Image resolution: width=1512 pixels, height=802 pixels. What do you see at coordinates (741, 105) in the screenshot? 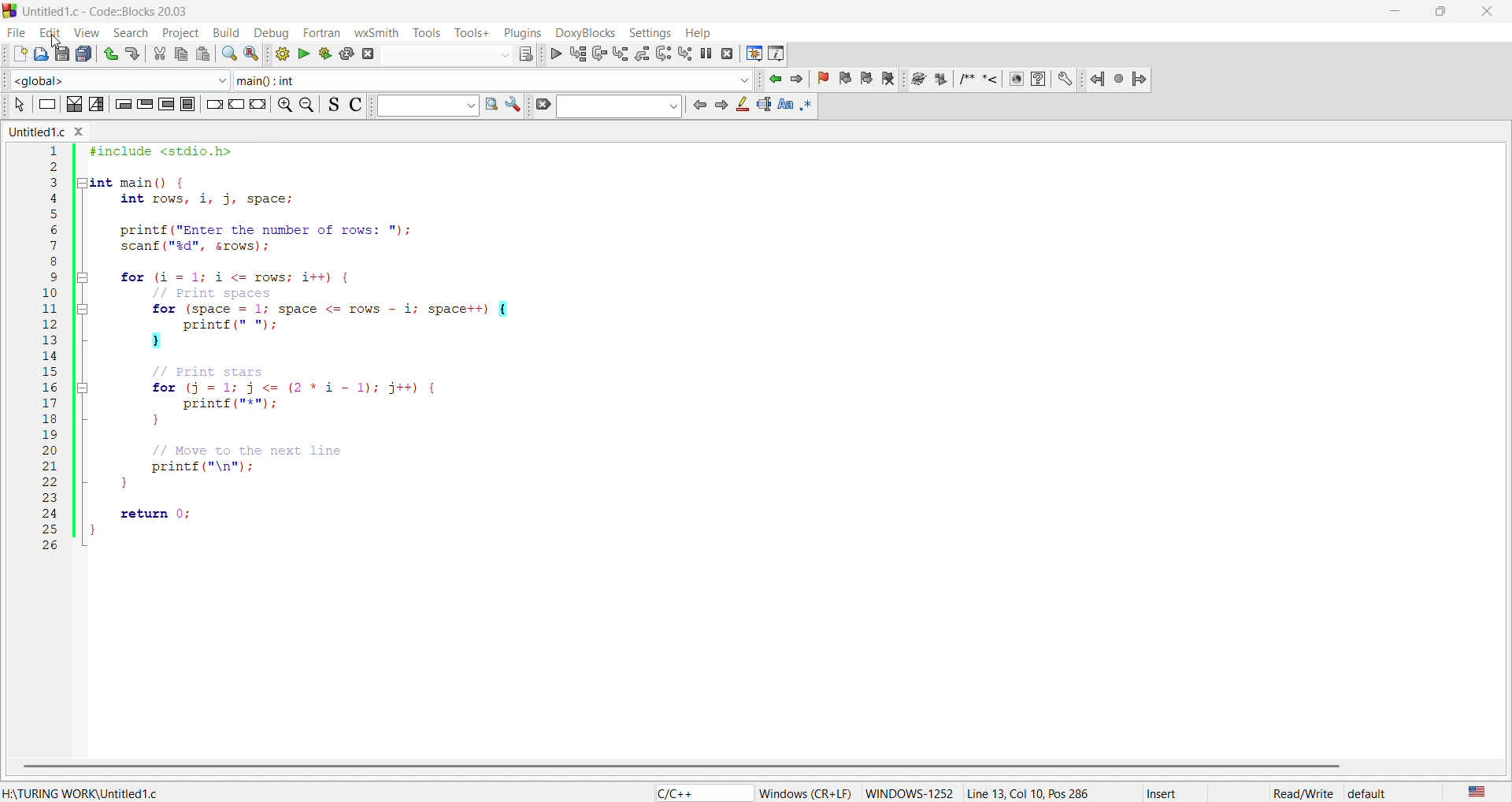
I see `highlight` at bounding box center [741, 105].